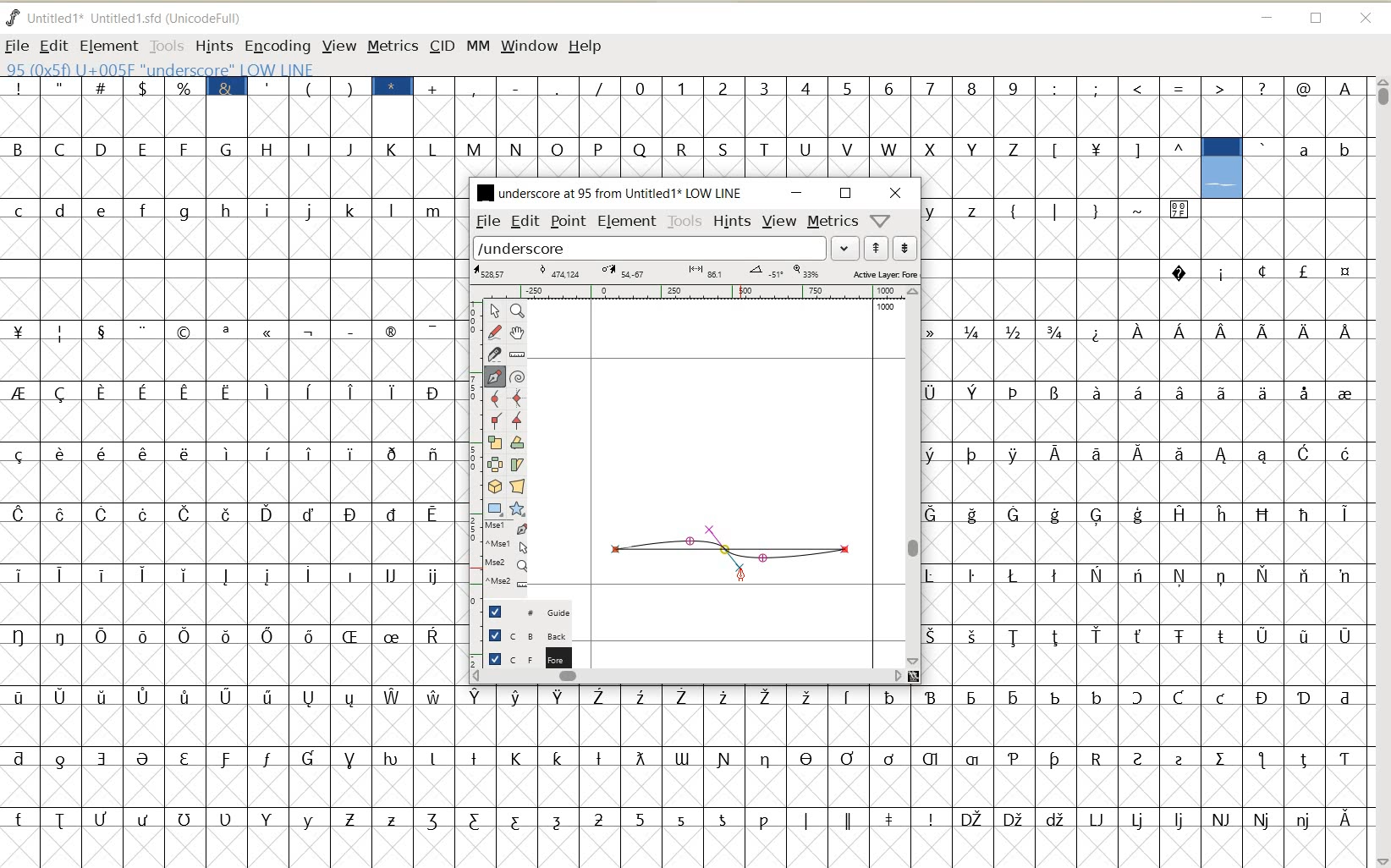 The height and width of the screenshot is (868, 1391). I want to click on MINIMIZE, so click(798, 193).